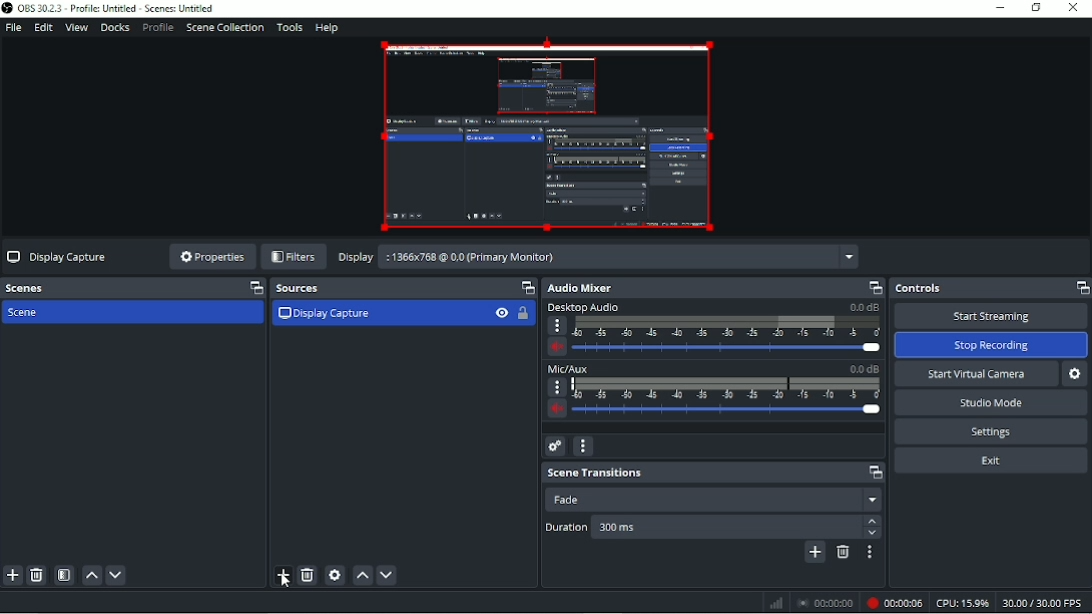 The width and height of the screenshot is (1092, 614). Describe the element at coordinates (387, 575) in the screenshot. I see `Move source(s) down` at that location.